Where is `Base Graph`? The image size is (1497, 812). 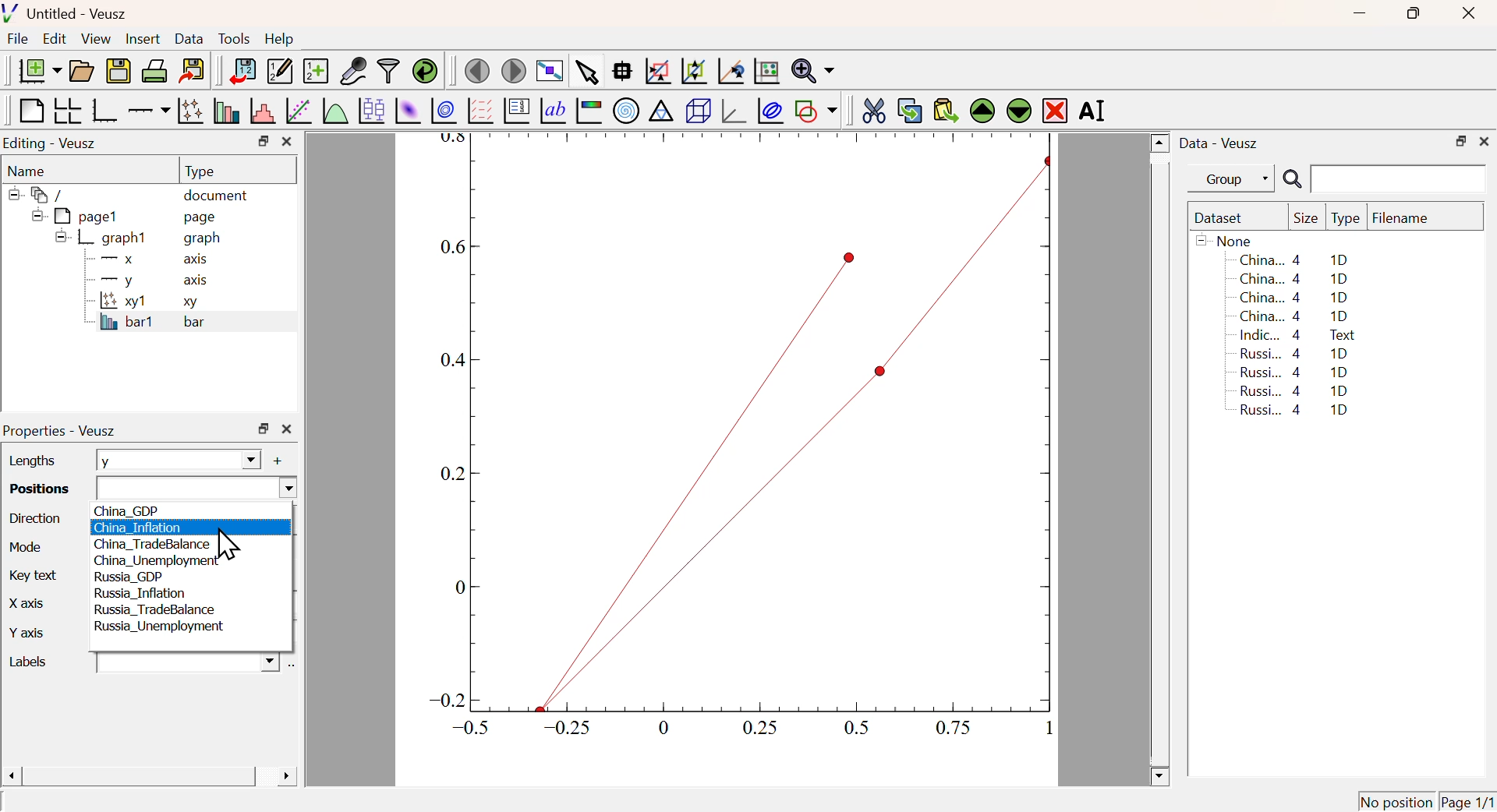
Base Graph is located at coordinates (103, 110).